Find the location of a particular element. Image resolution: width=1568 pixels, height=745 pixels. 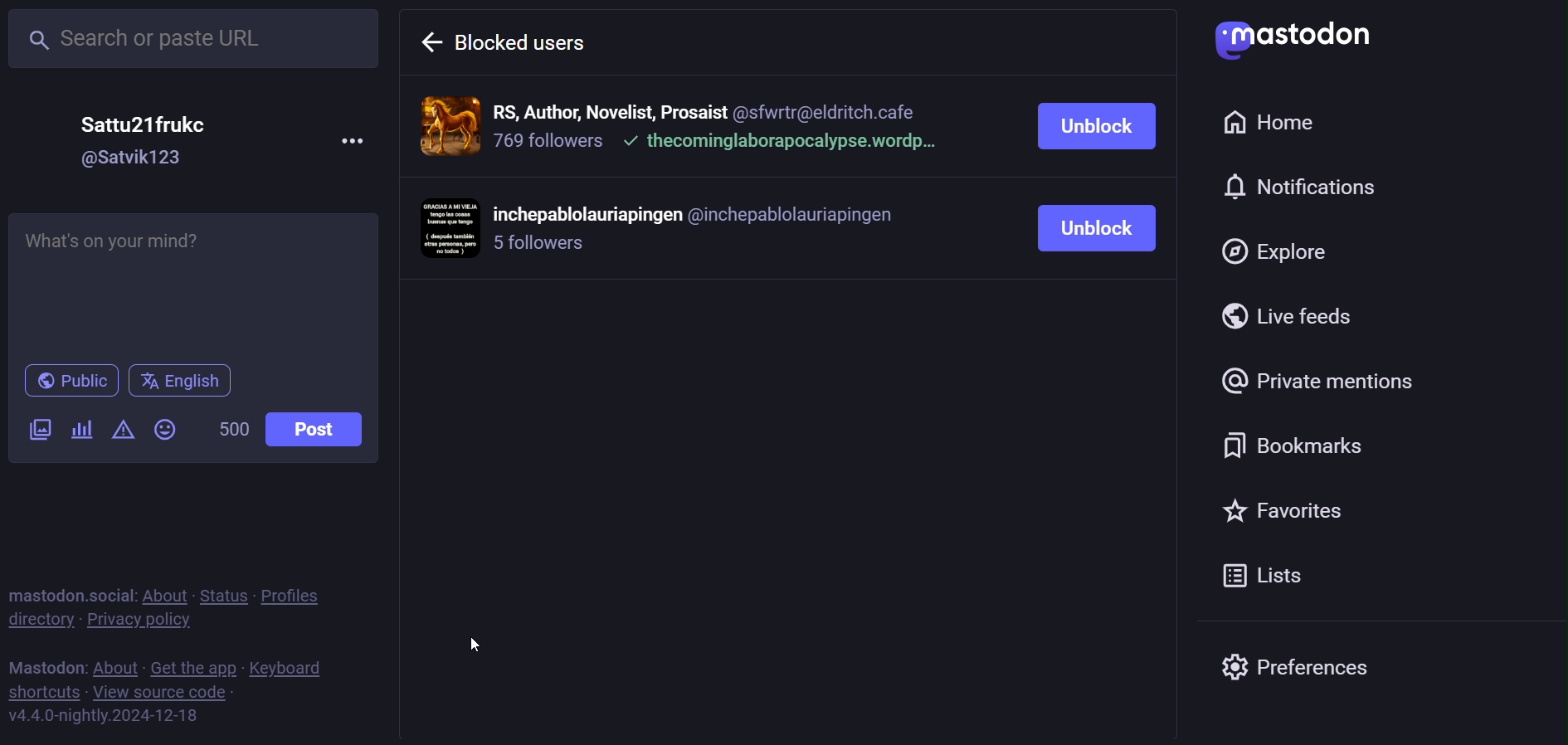

unblock is located at coordinates (1085, 228).